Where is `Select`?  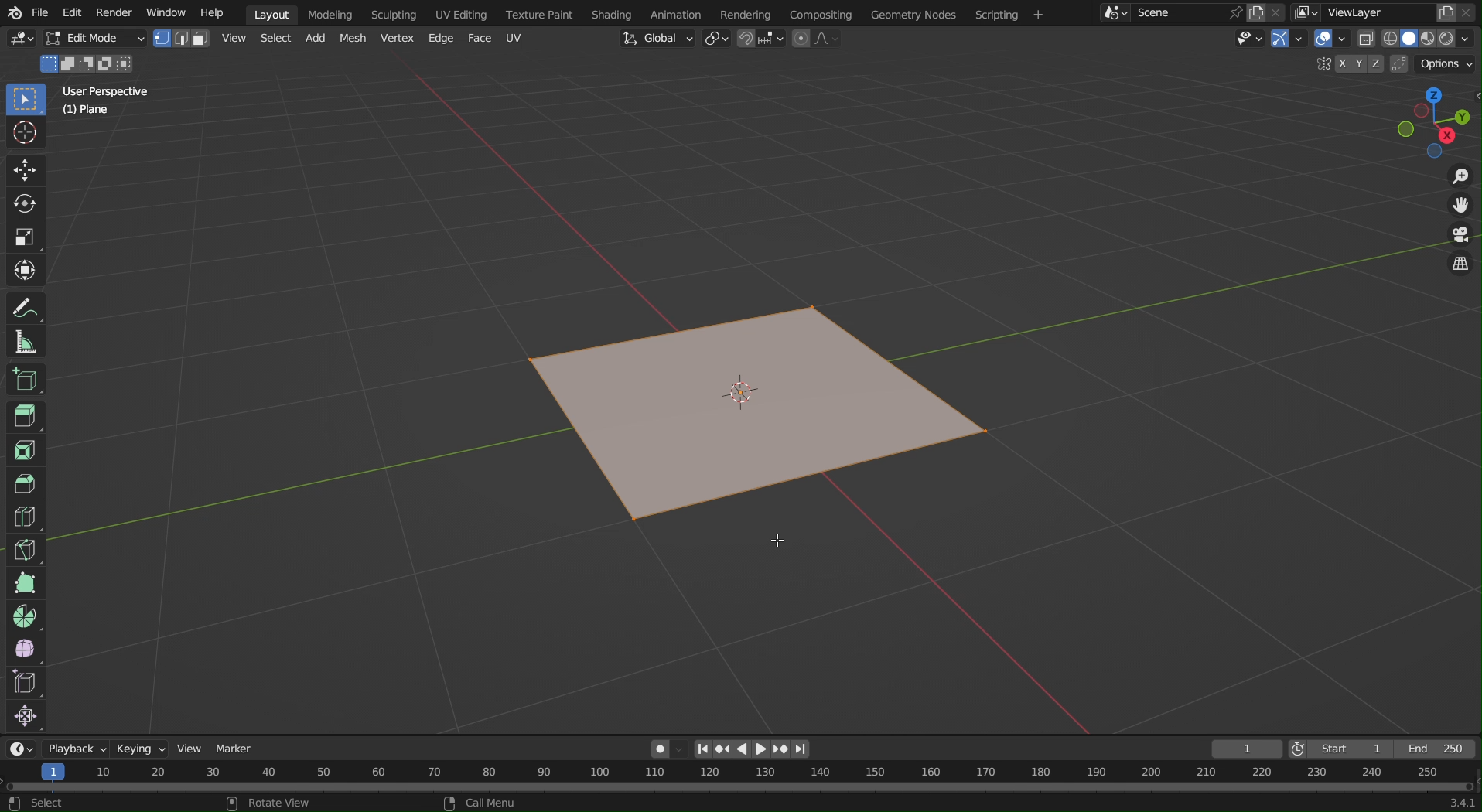
Select is located at coordinates (273, 40).